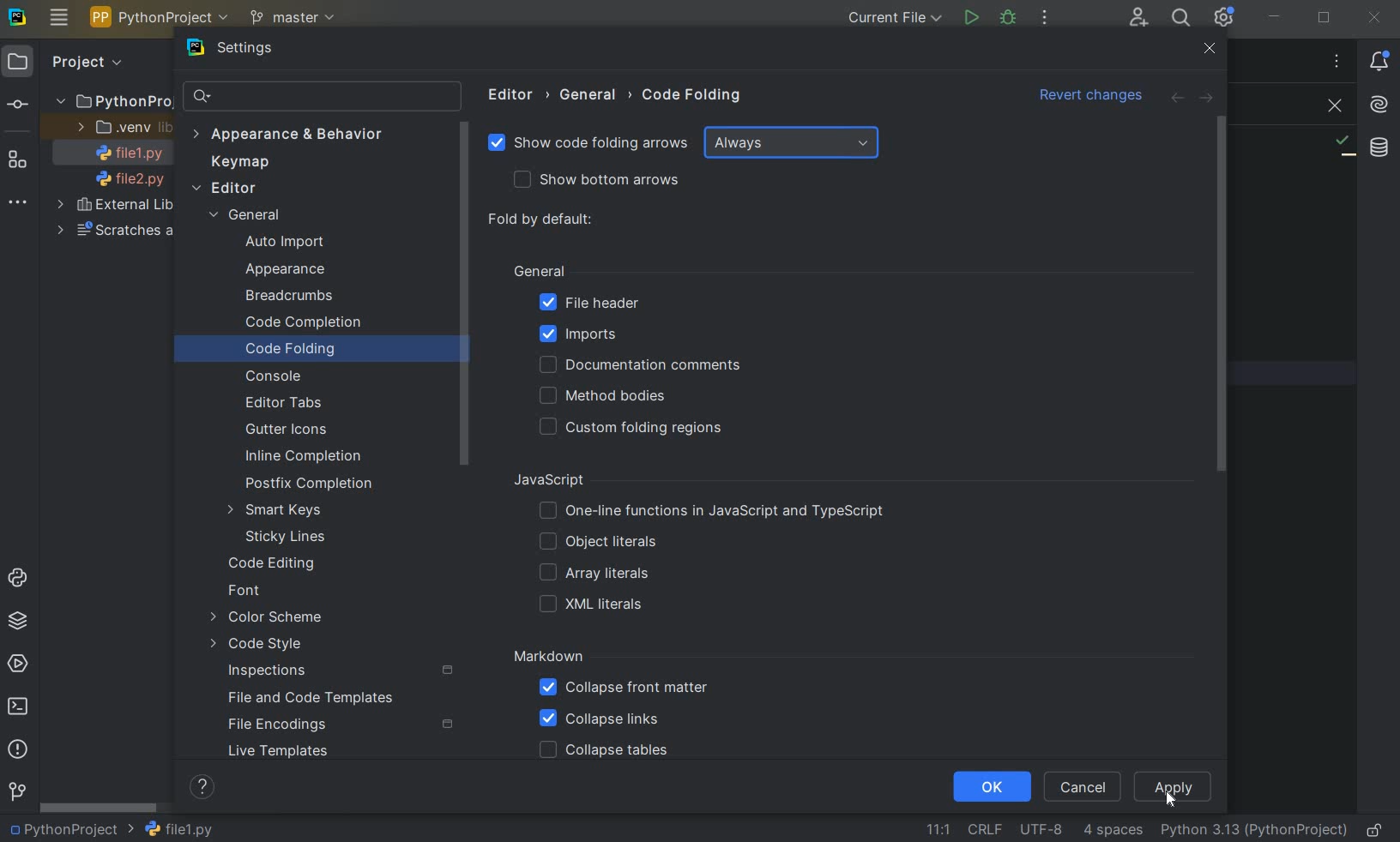  What do you see at coordinates (124, 154) in the screenshot?
I see `FILE NAME 1` at bounding box center [124, 154].